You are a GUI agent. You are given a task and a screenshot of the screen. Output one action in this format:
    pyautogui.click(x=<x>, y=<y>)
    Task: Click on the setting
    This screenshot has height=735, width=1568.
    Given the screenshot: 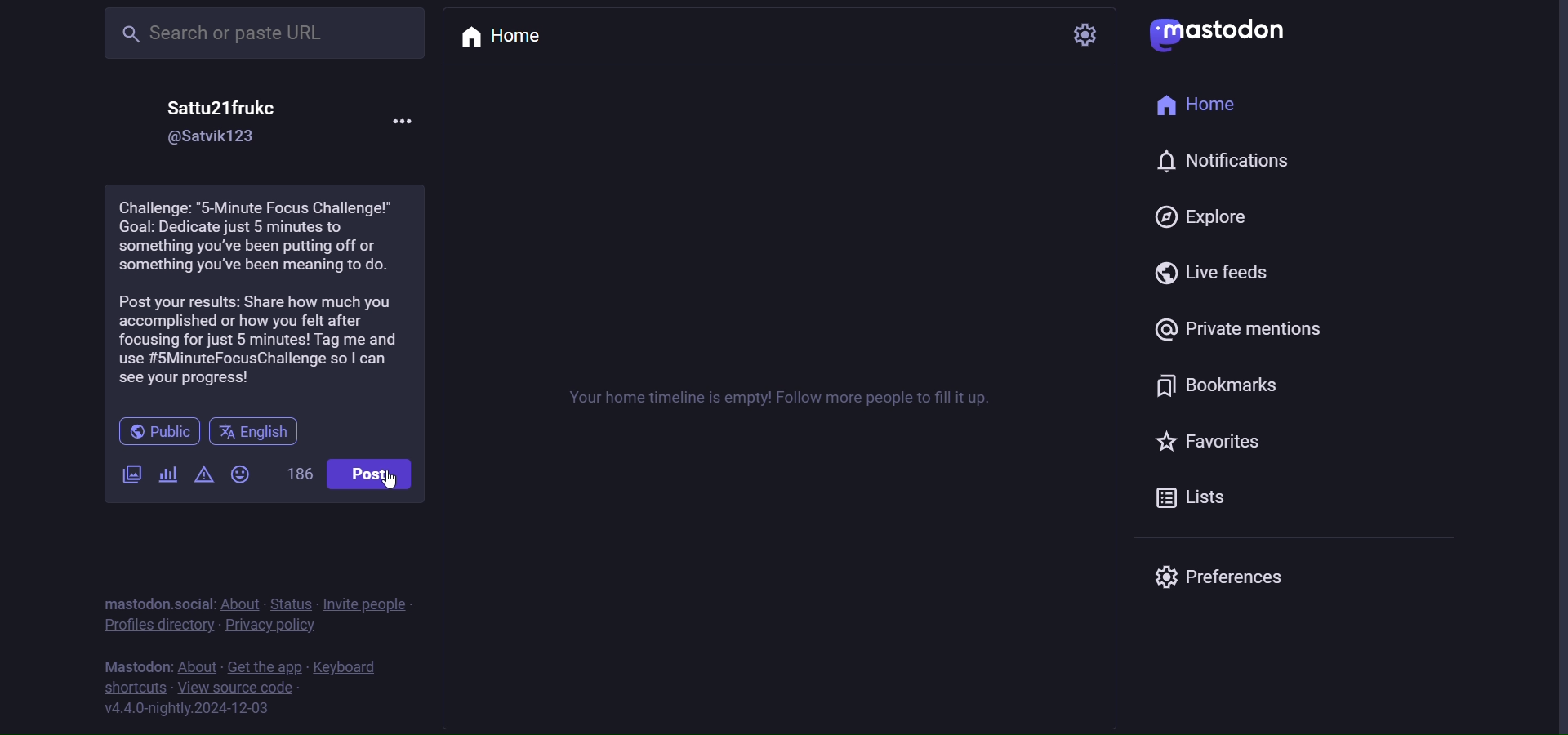 What is the action you would take?
    pyautogui.click(x=1083, y=38)
    